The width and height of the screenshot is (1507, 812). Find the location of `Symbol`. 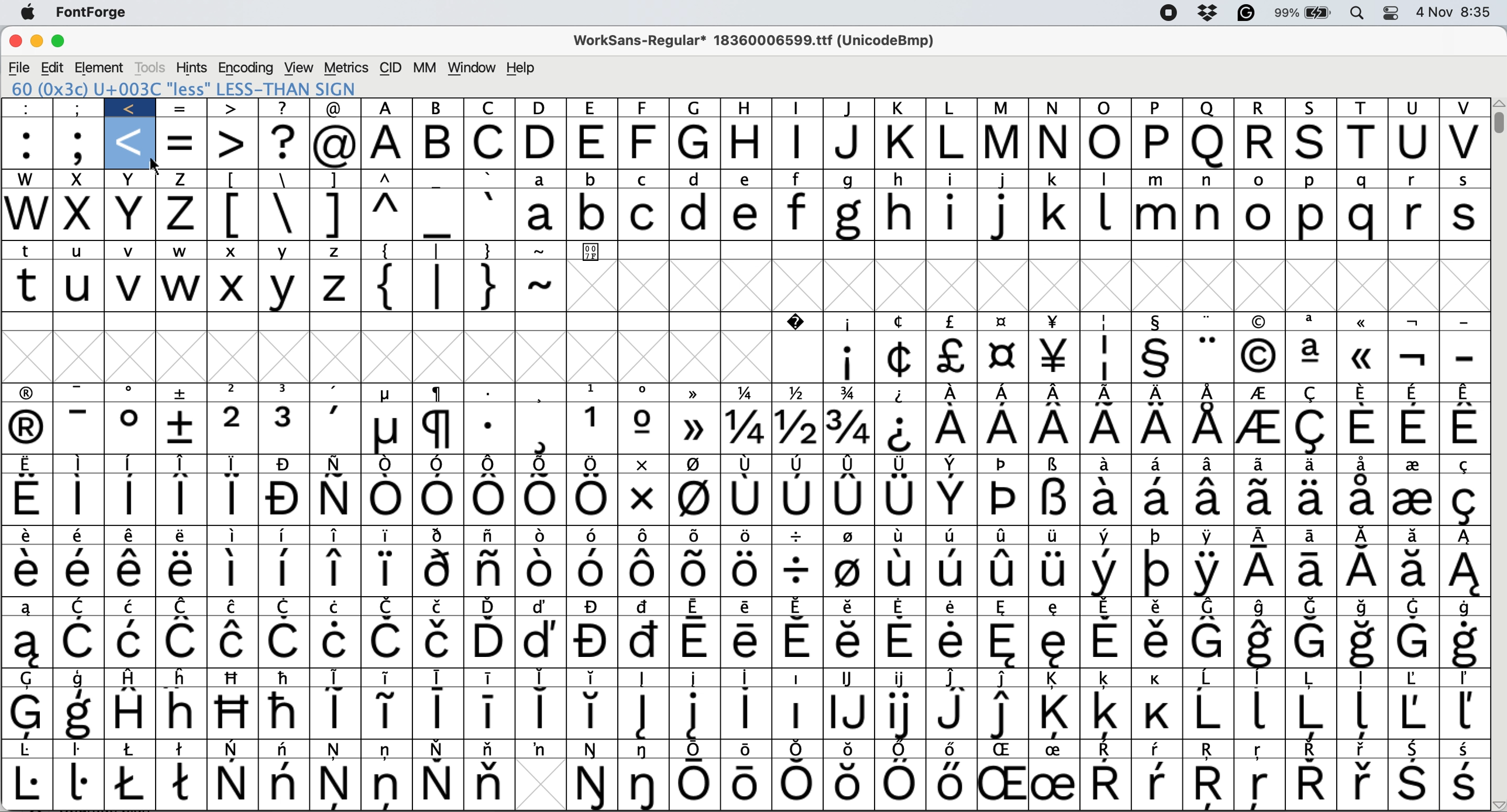

Symbol is located at coordinates (232, 463).